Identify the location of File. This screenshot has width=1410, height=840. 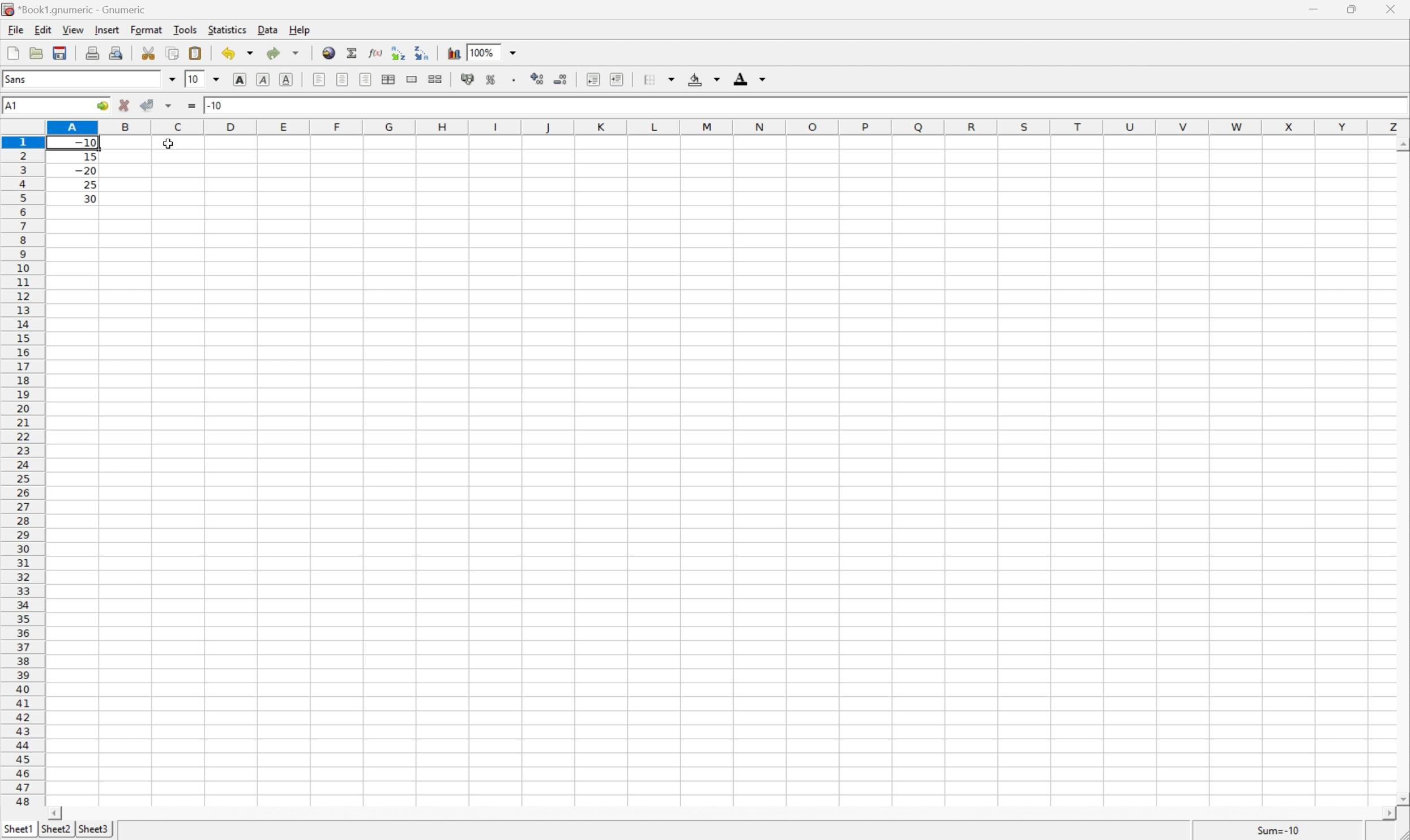
(14, 30).